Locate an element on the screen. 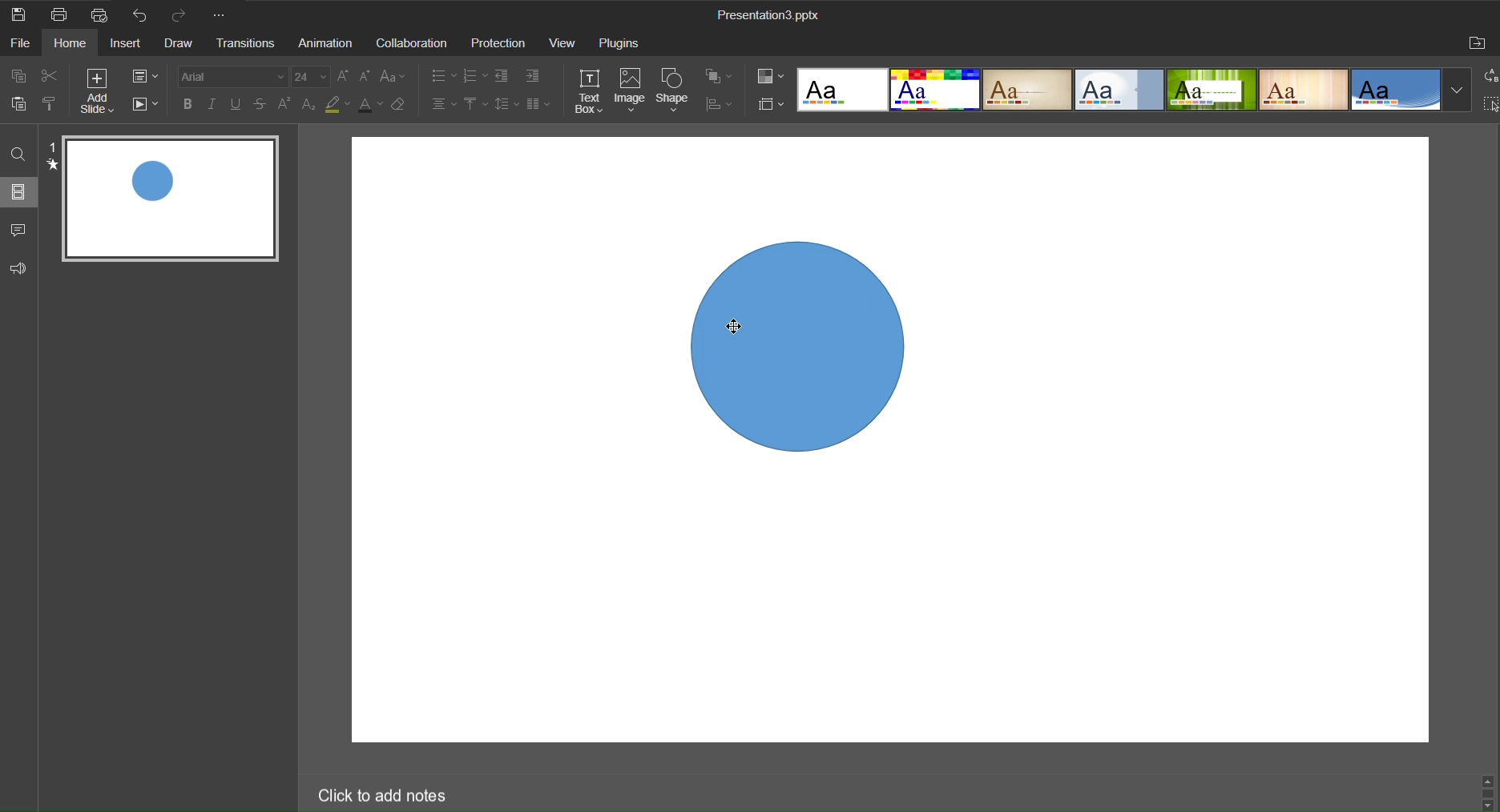  cursor is located at coordinates (737, 328).